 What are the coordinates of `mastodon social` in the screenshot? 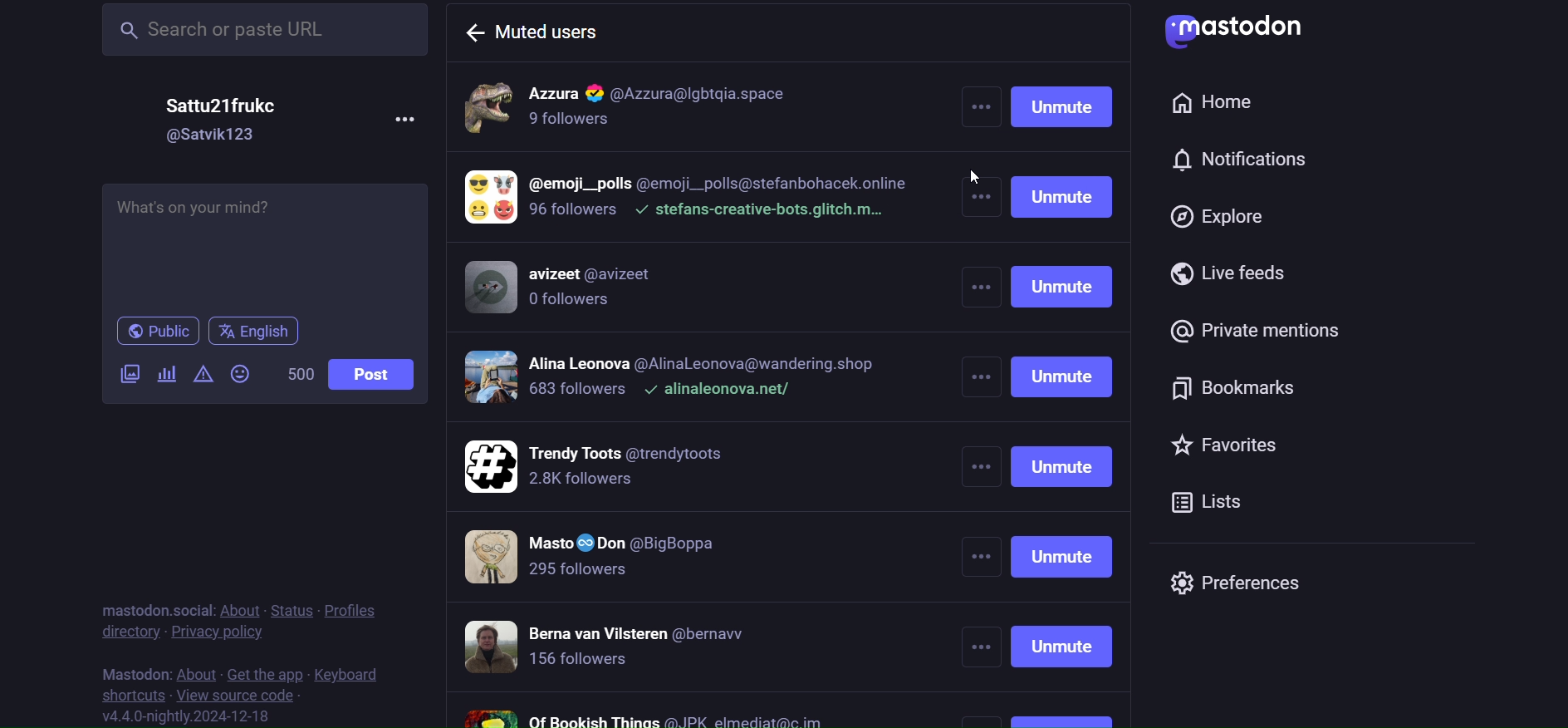 It's located at (153, 610).